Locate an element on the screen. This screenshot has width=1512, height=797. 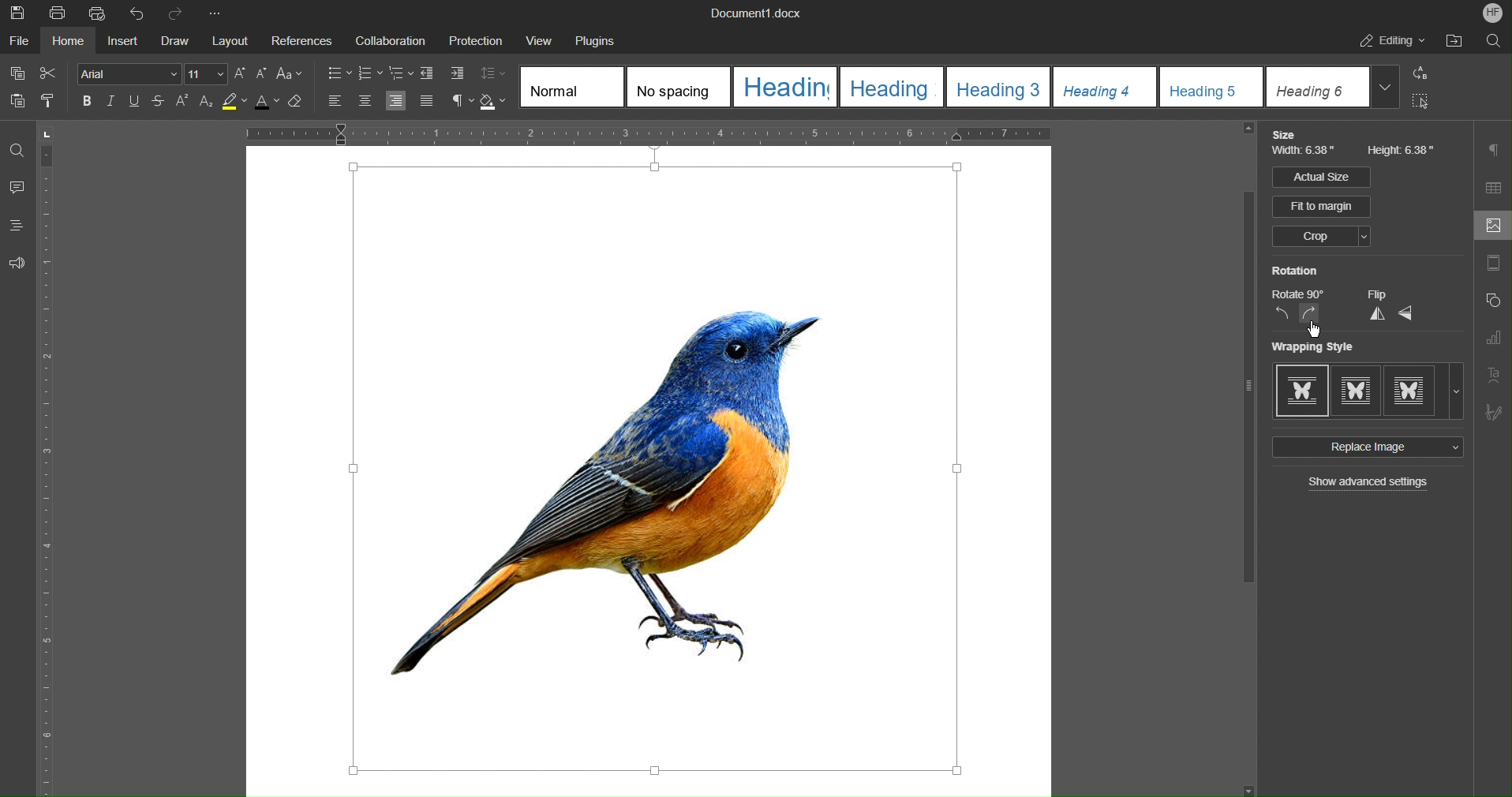
Heading 3 is located at coordinates (1000, 86).